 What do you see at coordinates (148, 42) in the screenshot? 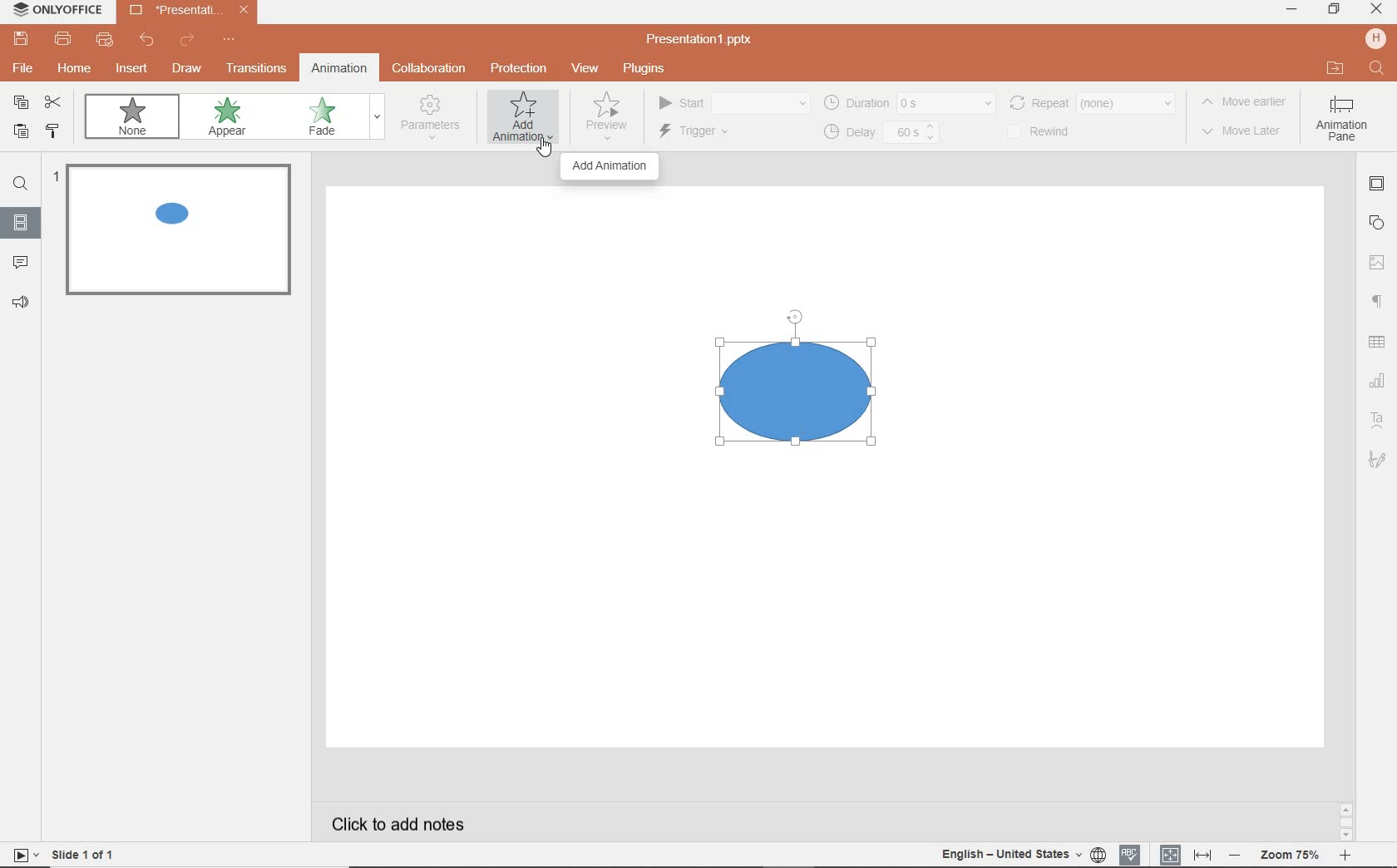
I see `undo` at bounding box center [148, 42].